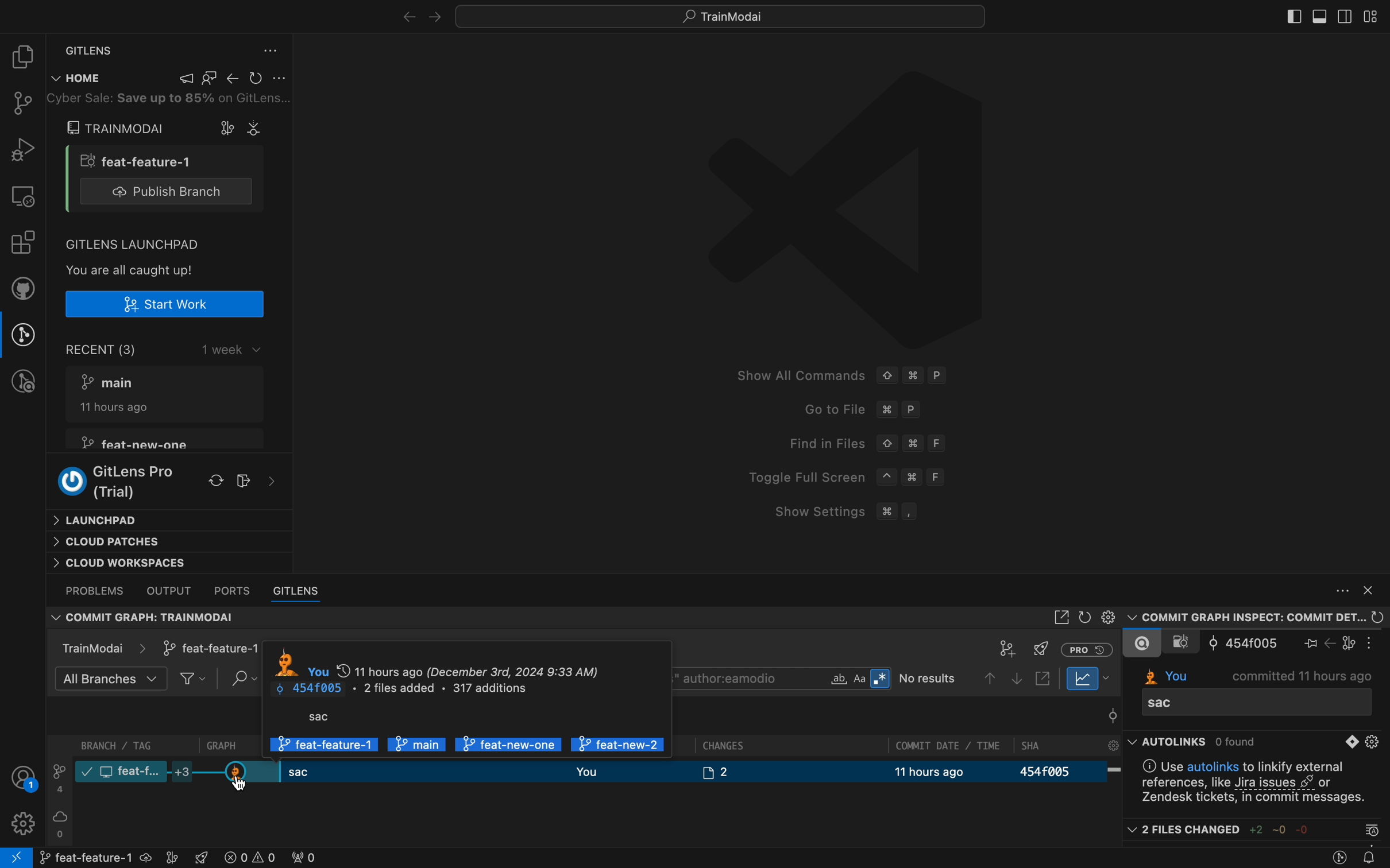 The height and width of the screenshot is (868, 1390). What do you see at coordinates (86, 49) in the screenshot?
I see `settings` at bounding box center [86, 49].